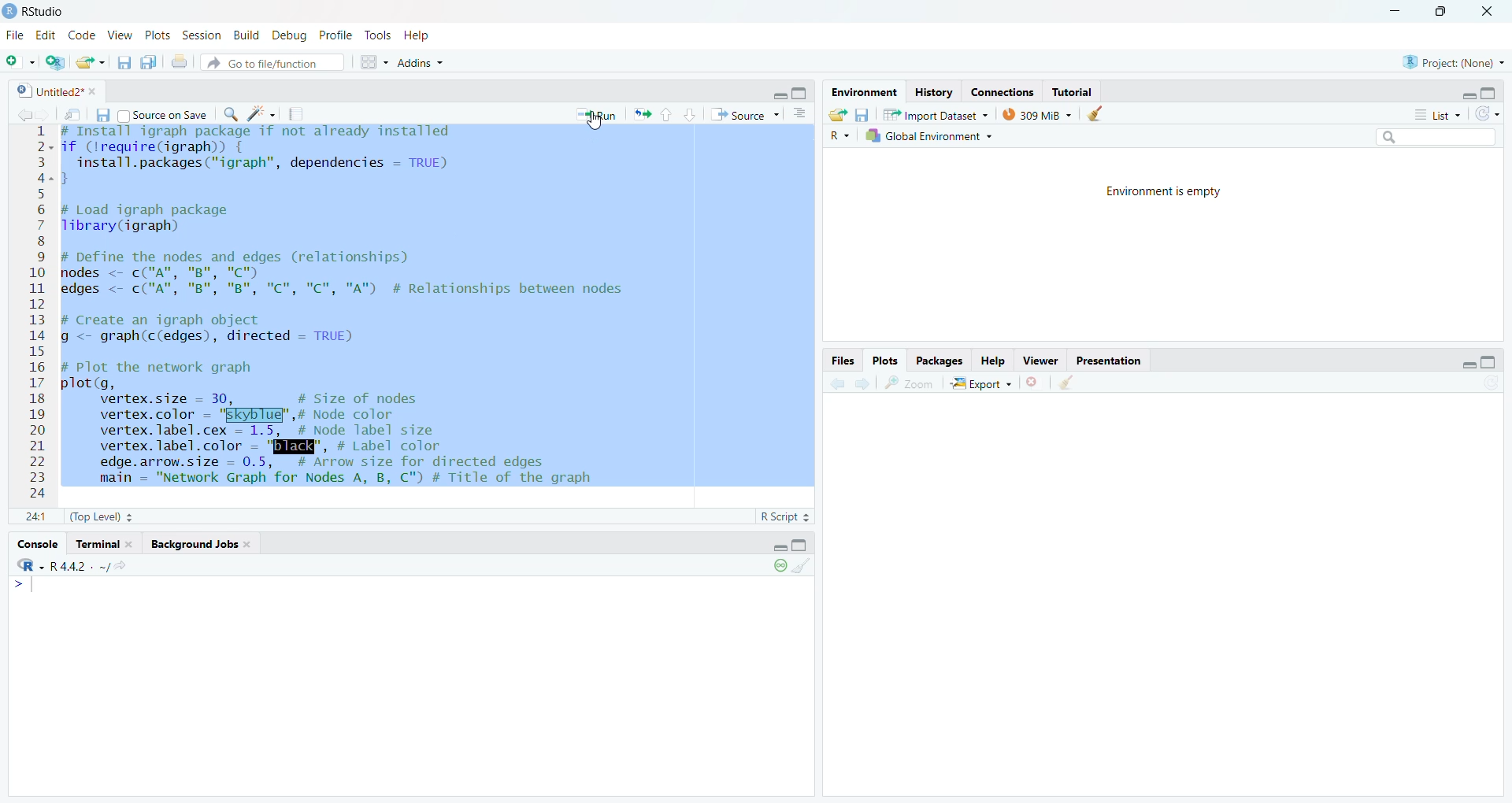 This screenshot has width=1512, height=803. What do you see at coordinates (865, 385) in the screenshot?
I see `next` at bounding box center [865, 385].